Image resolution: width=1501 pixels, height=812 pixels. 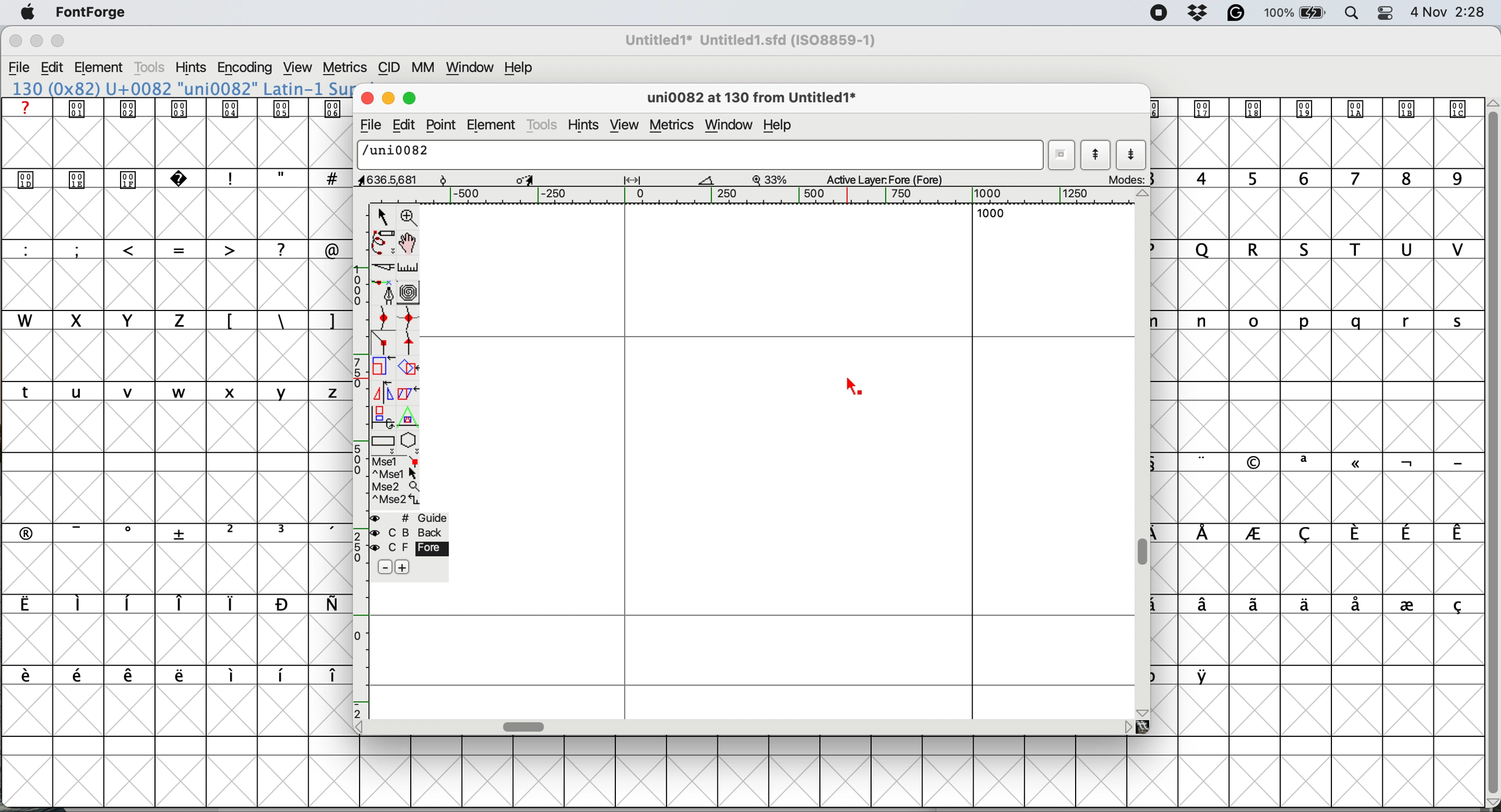 What do you see at coordinates (410, 243) in the screenshot?
I see `scroll by hand` at bounding box center [410, 243].